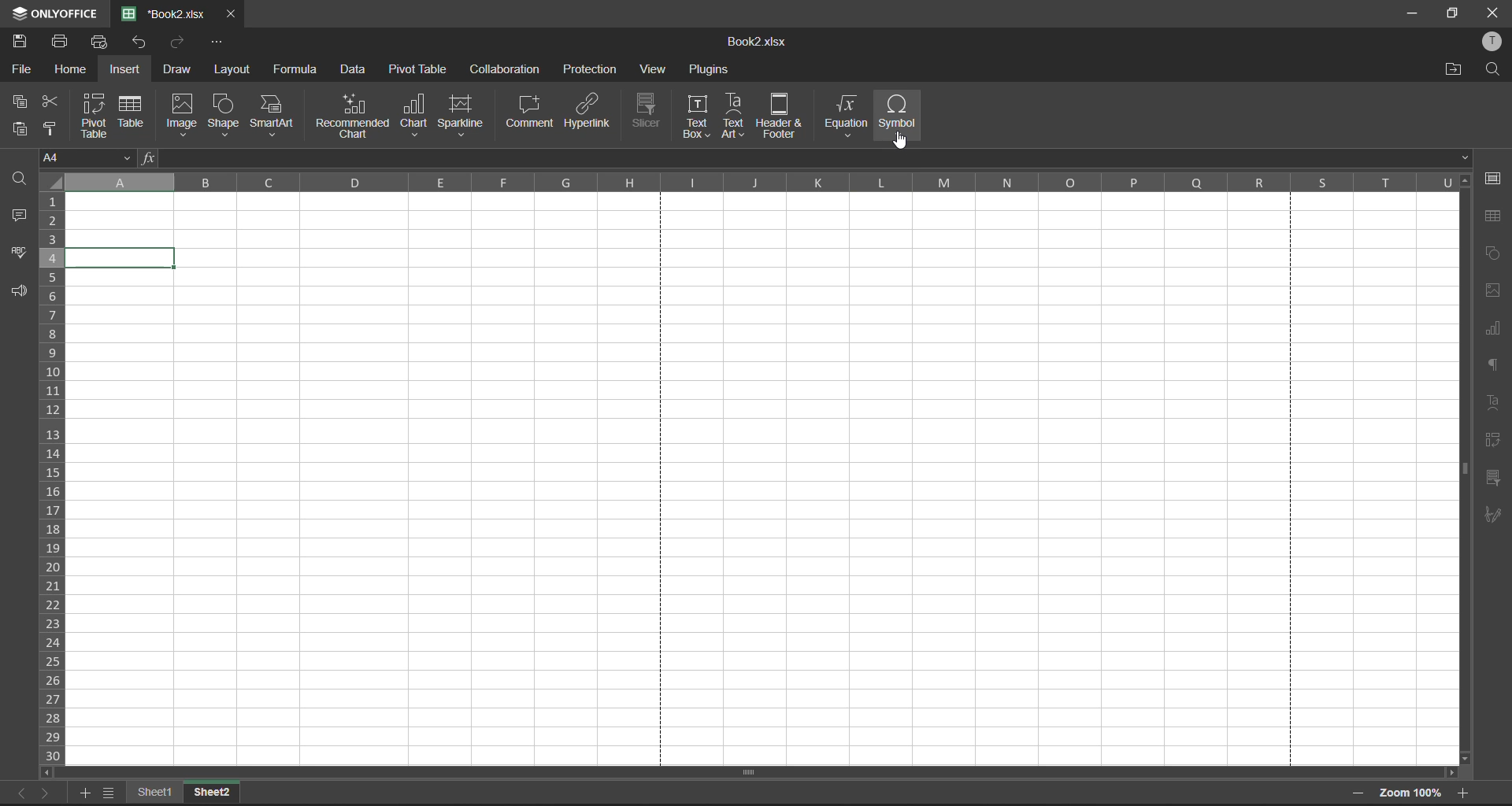  Describe the element at coordinates (418, 70) in the screenshot. I see `pivot table` at that location.